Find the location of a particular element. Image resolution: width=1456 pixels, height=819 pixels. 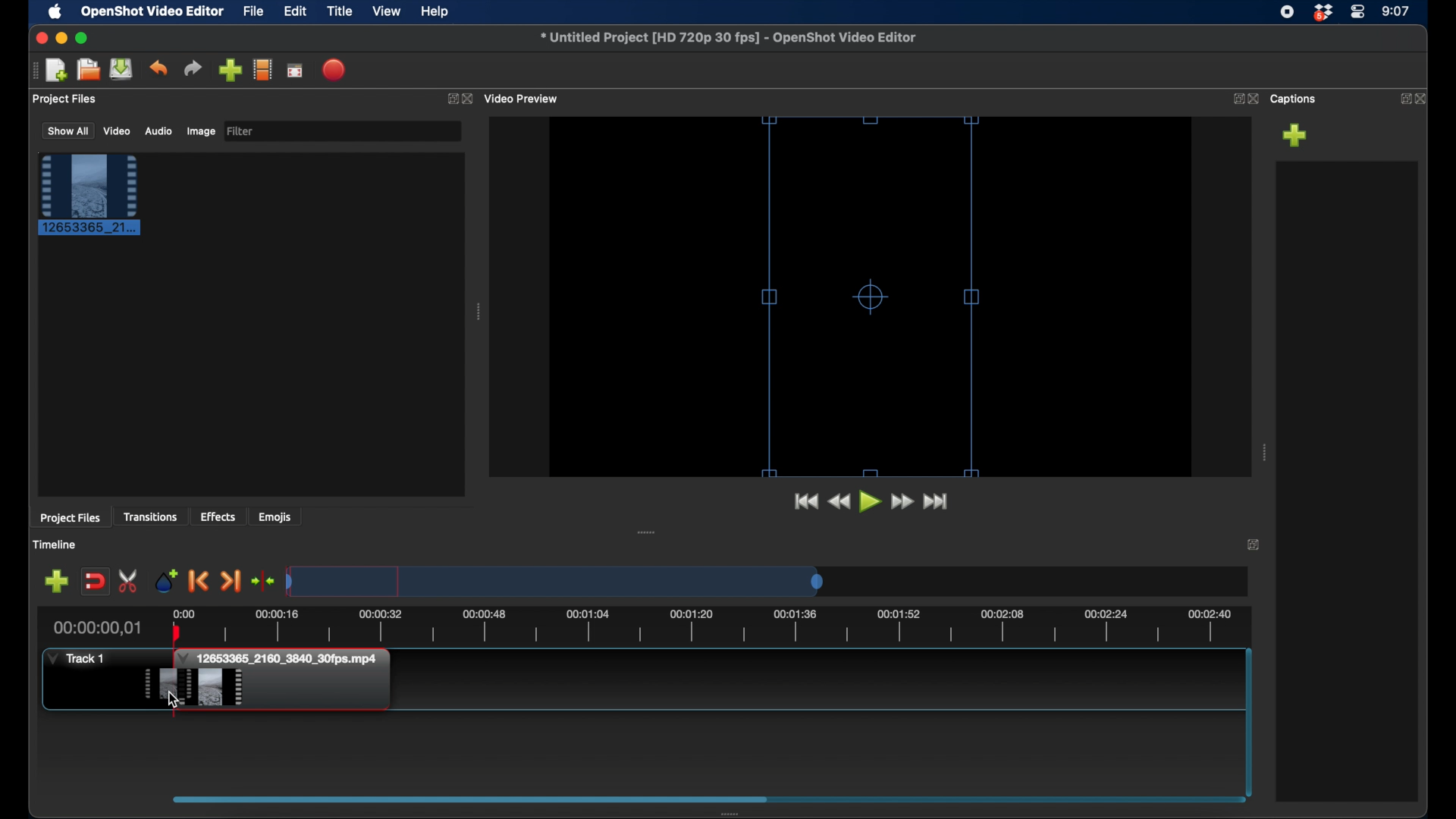

screen recorder icon is located at coordinates (1287, 12).